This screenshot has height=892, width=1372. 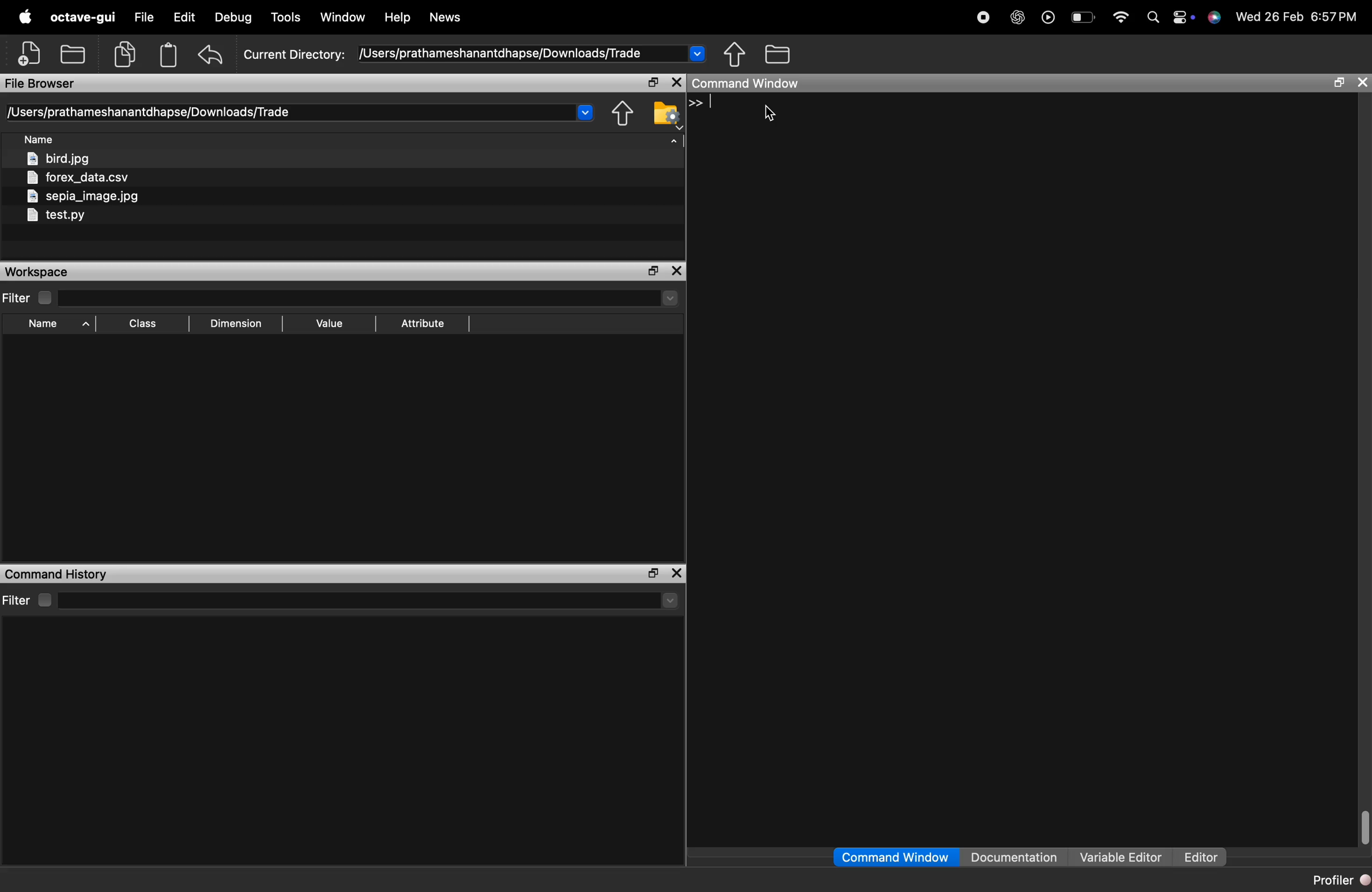 What do you see at coordinates (1339, 82) in the screenshot?
I see `maximize` at bounding box center [1339, 82].